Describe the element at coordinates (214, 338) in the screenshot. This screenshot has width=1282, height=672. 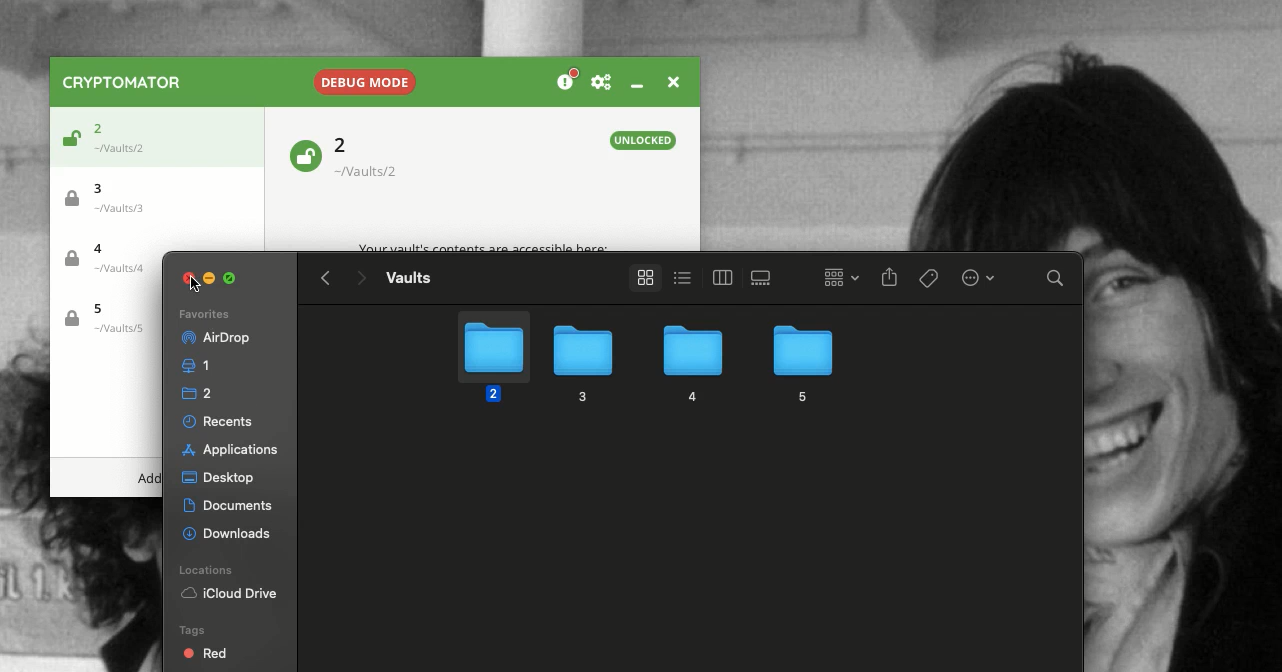
I see `Airdrop` at that location.